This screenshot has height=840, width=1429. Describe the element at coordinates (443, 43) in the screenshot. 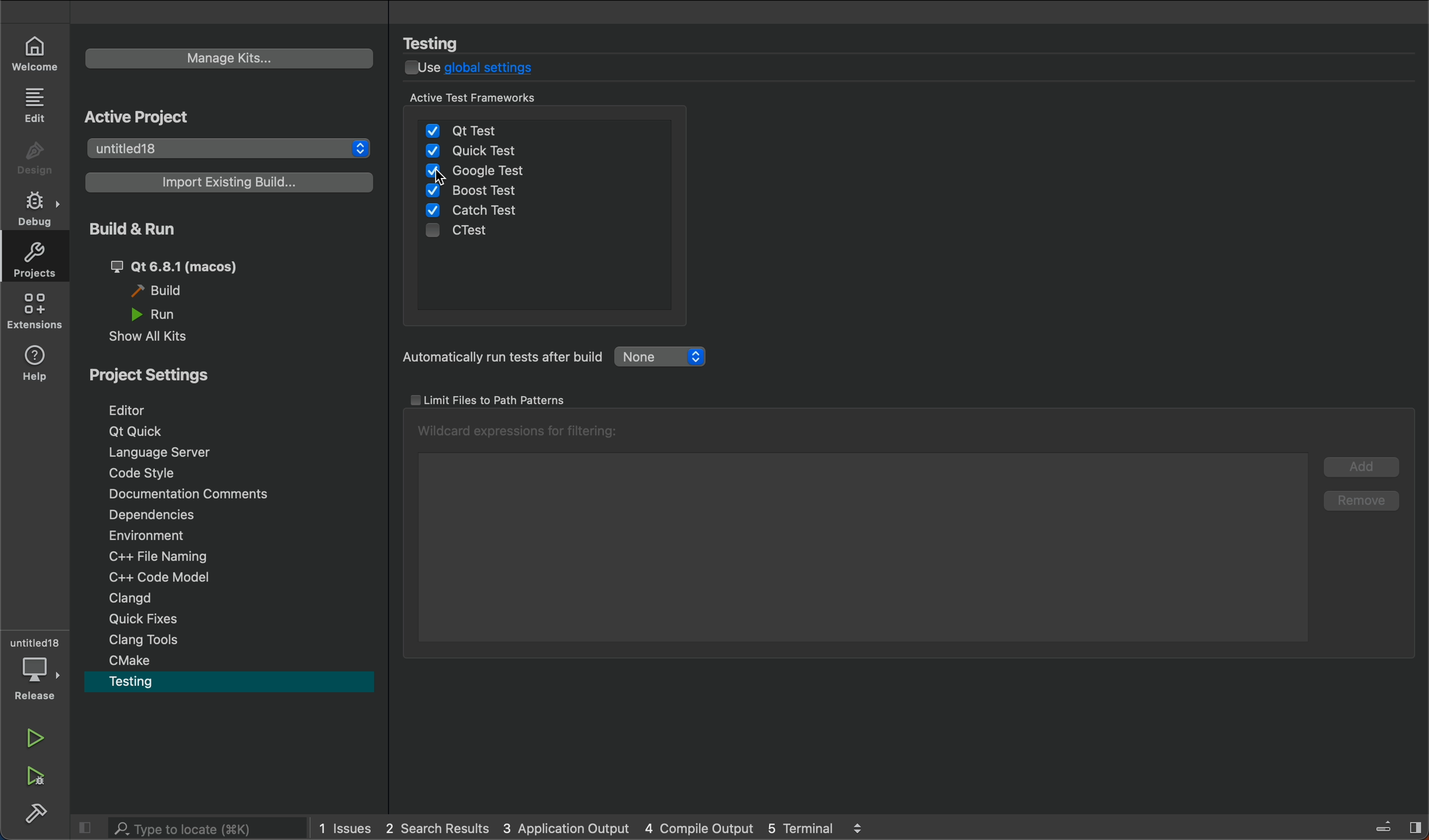

I see `testing` at that location.